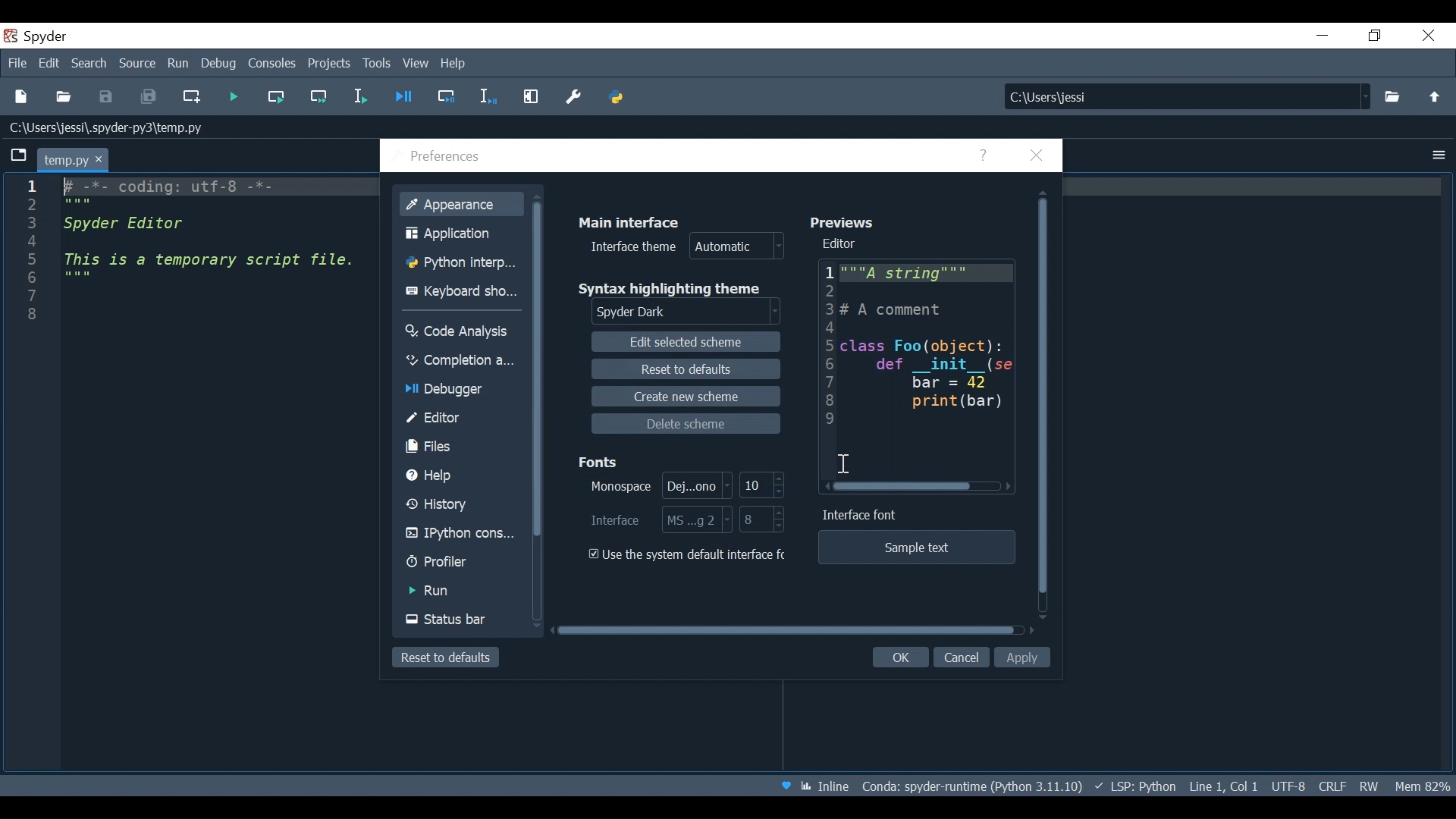 Image resolution: width=1456 pixels, height=819 pixels. Describe the element at coordinates (106, 96) in the screenshot. I see `Save File` at that location.